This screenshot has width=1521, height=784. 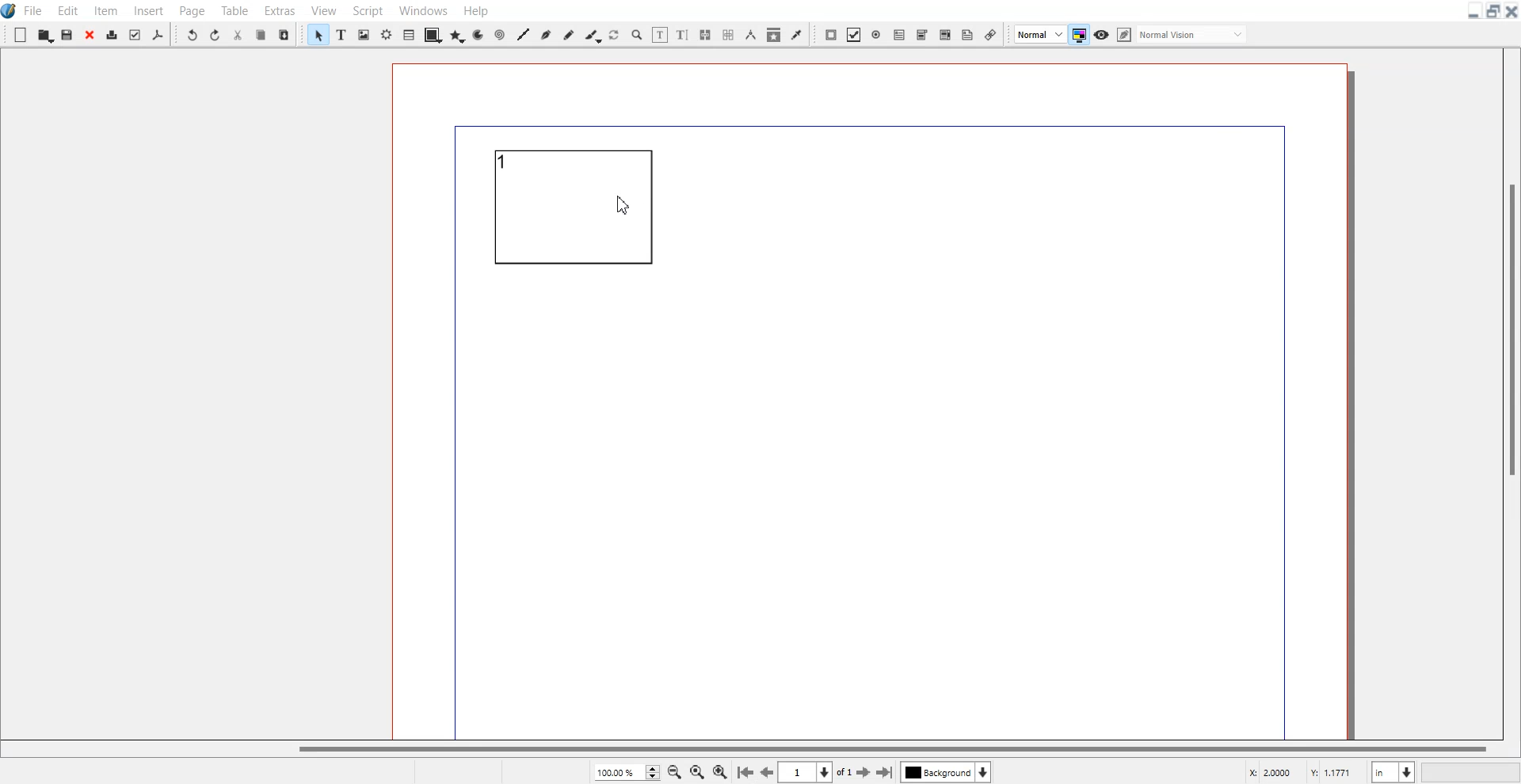 I want to click on Cursor, so click(x=624, y=204).